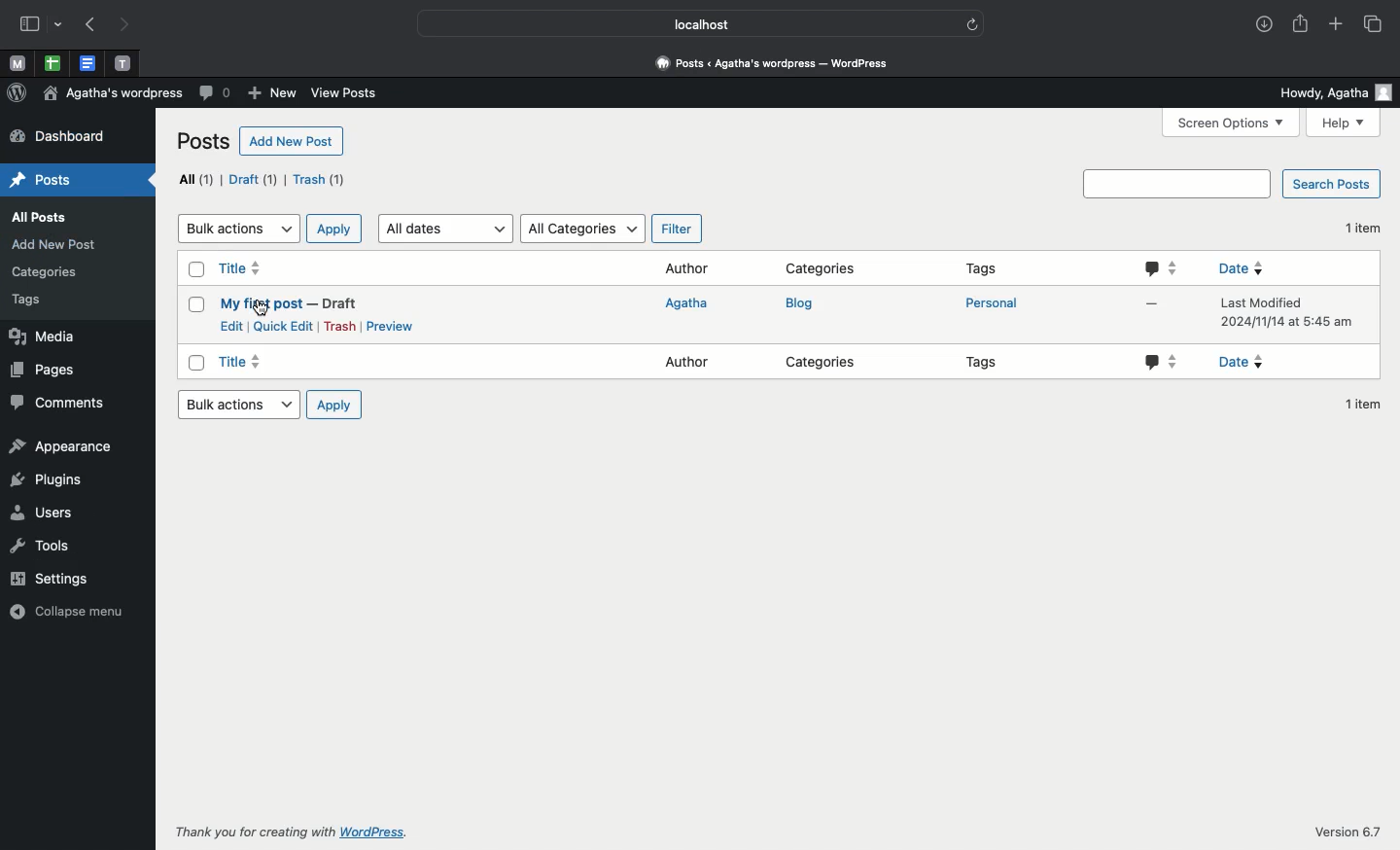 This screenshot has height=850, width=1400. What do you see at coordinates (688, 268) in the screenshot?
I see `Author` at bounding box center [688, 268].